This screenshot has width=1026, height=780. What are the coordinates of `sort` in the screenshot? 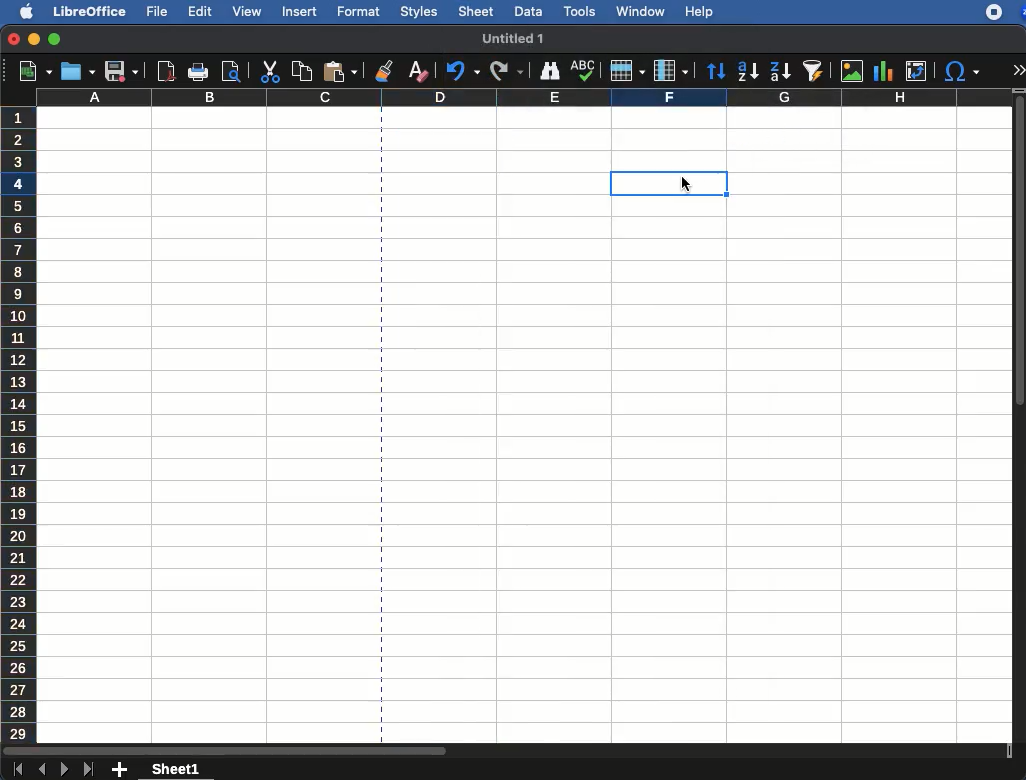 It's located at (812, 72).